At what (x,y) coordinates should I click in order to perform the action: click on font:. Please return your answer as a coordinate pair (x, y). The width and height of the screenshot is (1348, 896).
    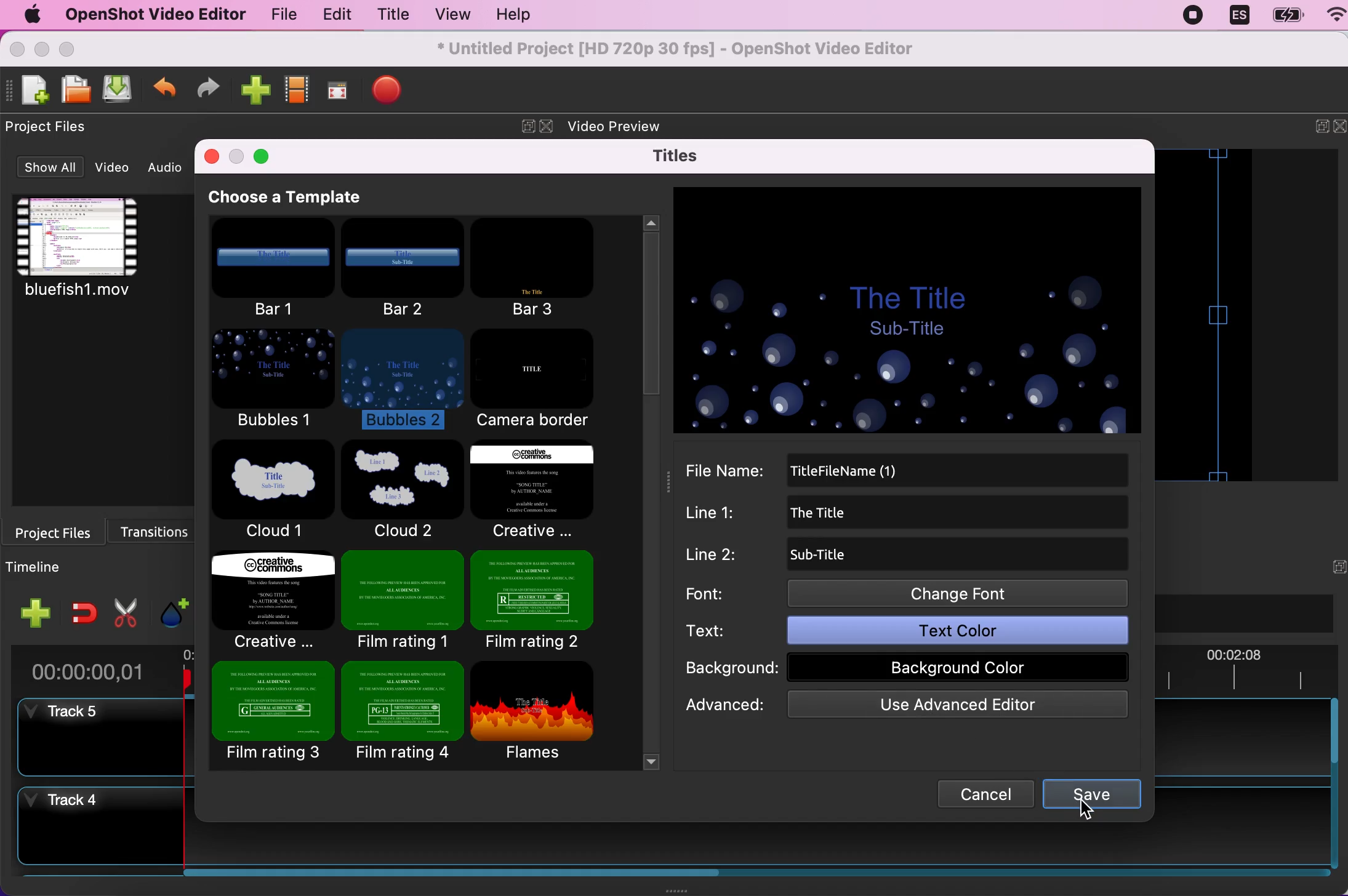
    Looking at the image, I should click on (723, 593).